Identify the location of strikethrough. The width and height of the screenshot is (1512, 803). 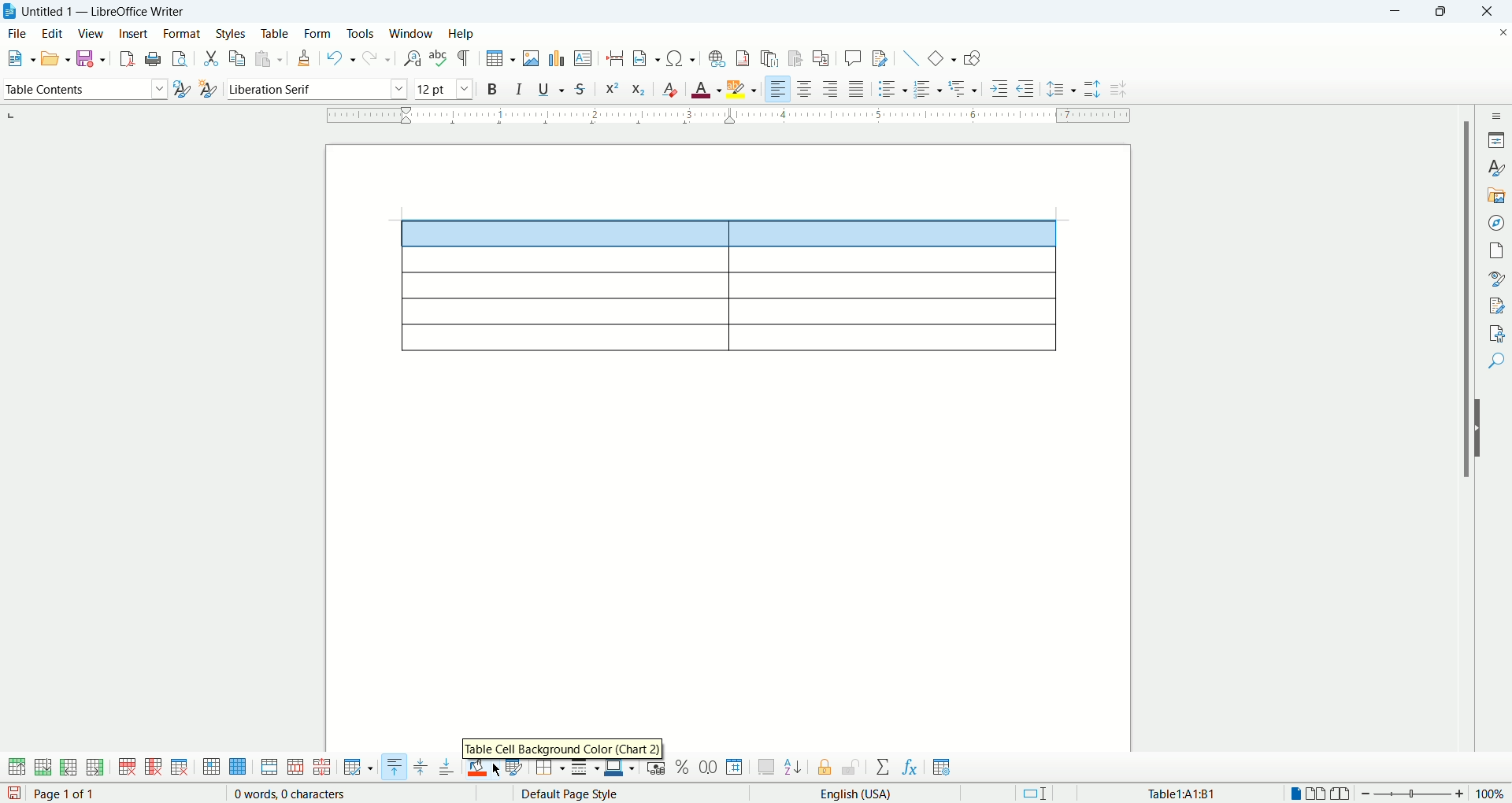
(580, 88).